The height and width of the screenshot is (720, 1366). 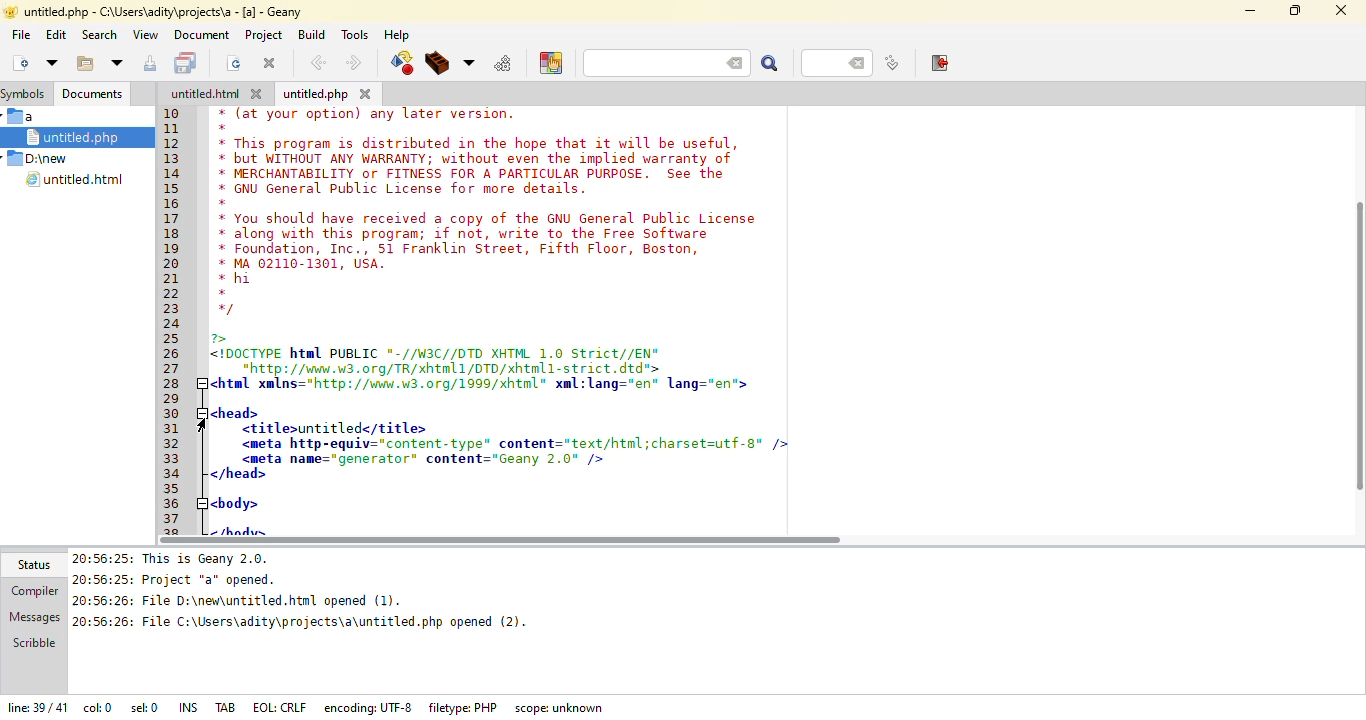 I want to click on D:\new, so click(x=38, y=158).